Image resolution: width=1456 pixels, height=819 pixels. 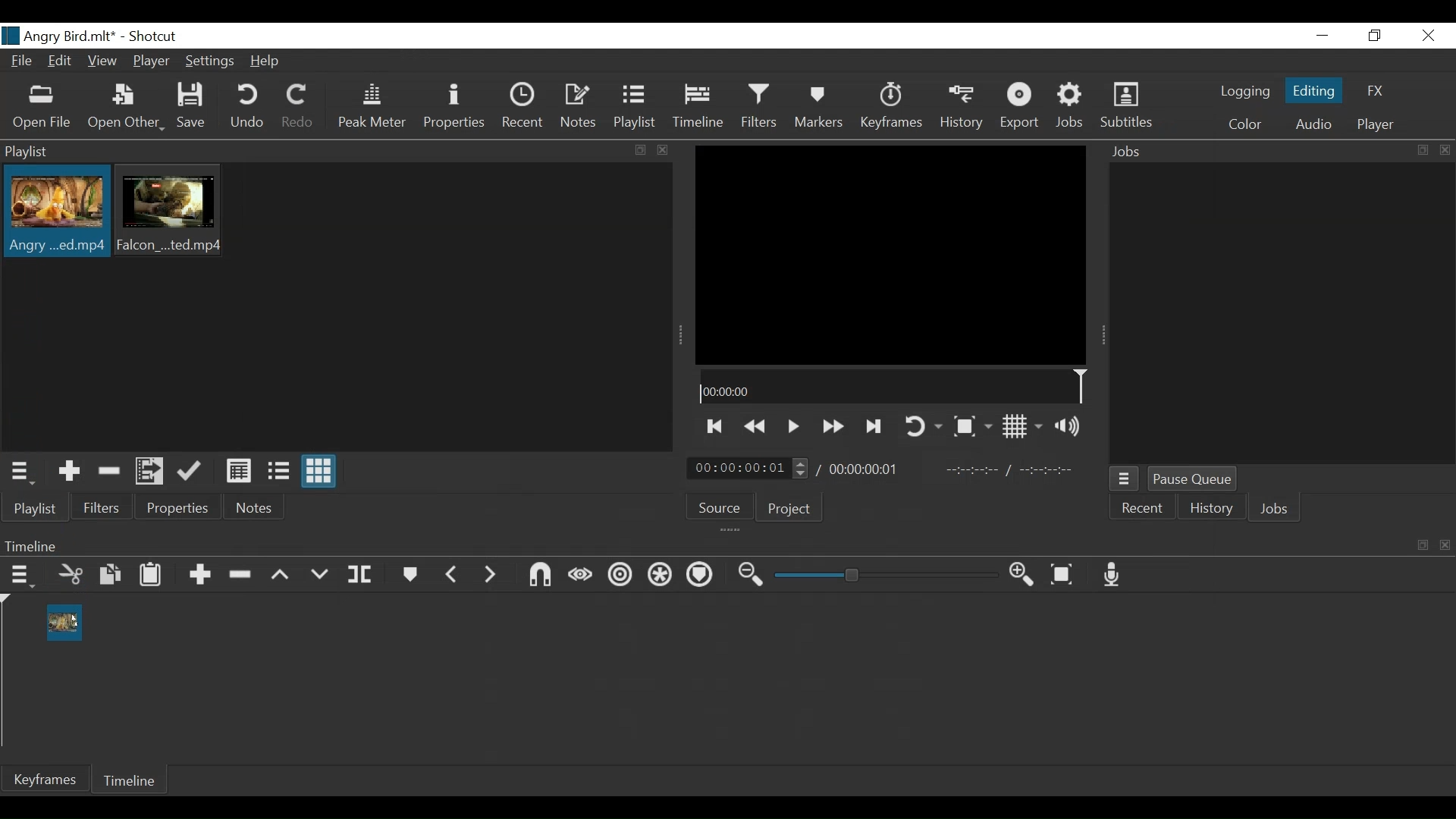 What do you see at coordinates (125, 107) in the screenshot?
I see `Open Other` at bounding box center [125, 107].